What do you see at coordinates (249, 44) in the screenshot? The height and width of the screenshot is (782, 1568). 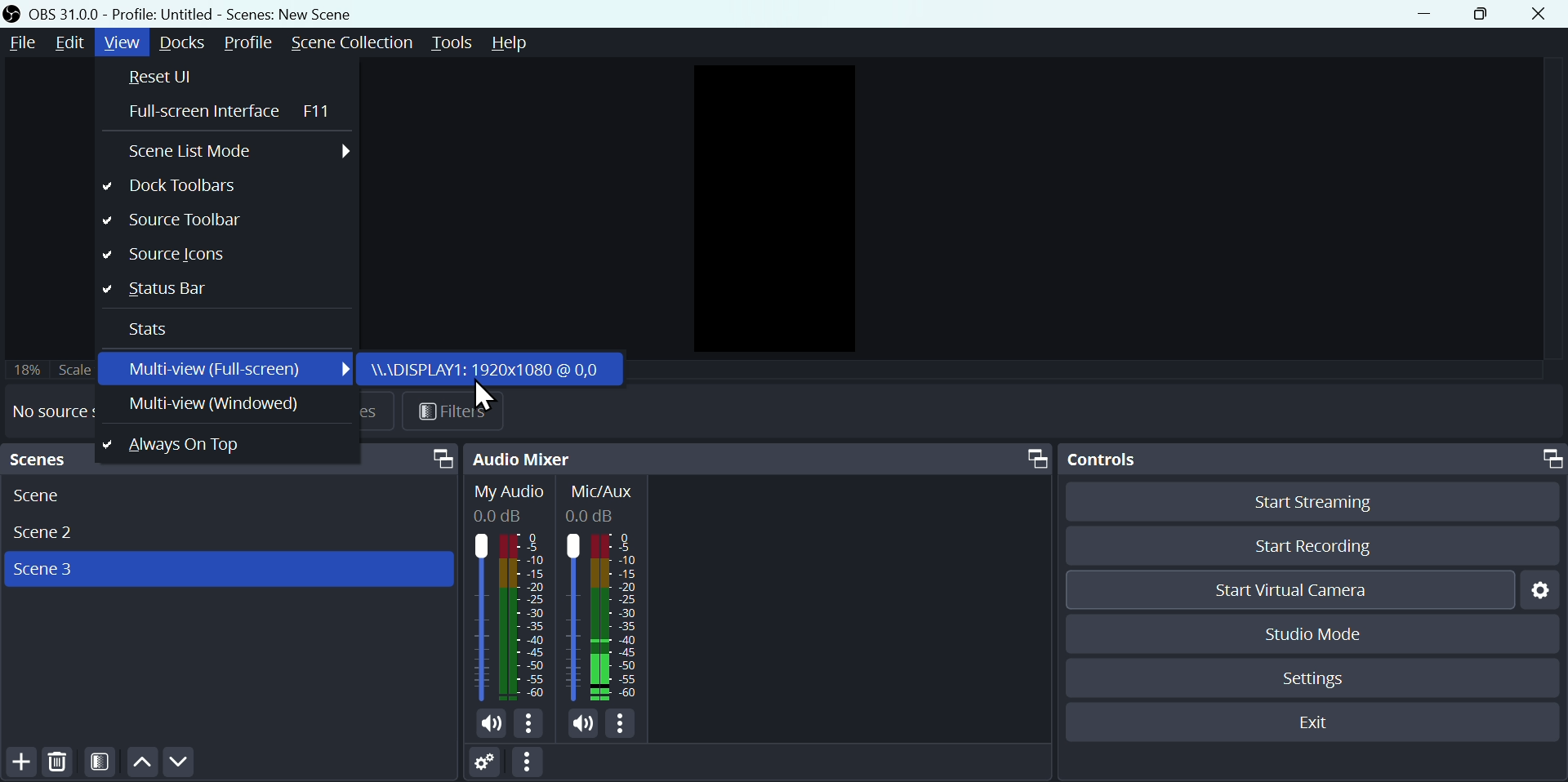 I see `Profile` at bounding box center [249, 44].